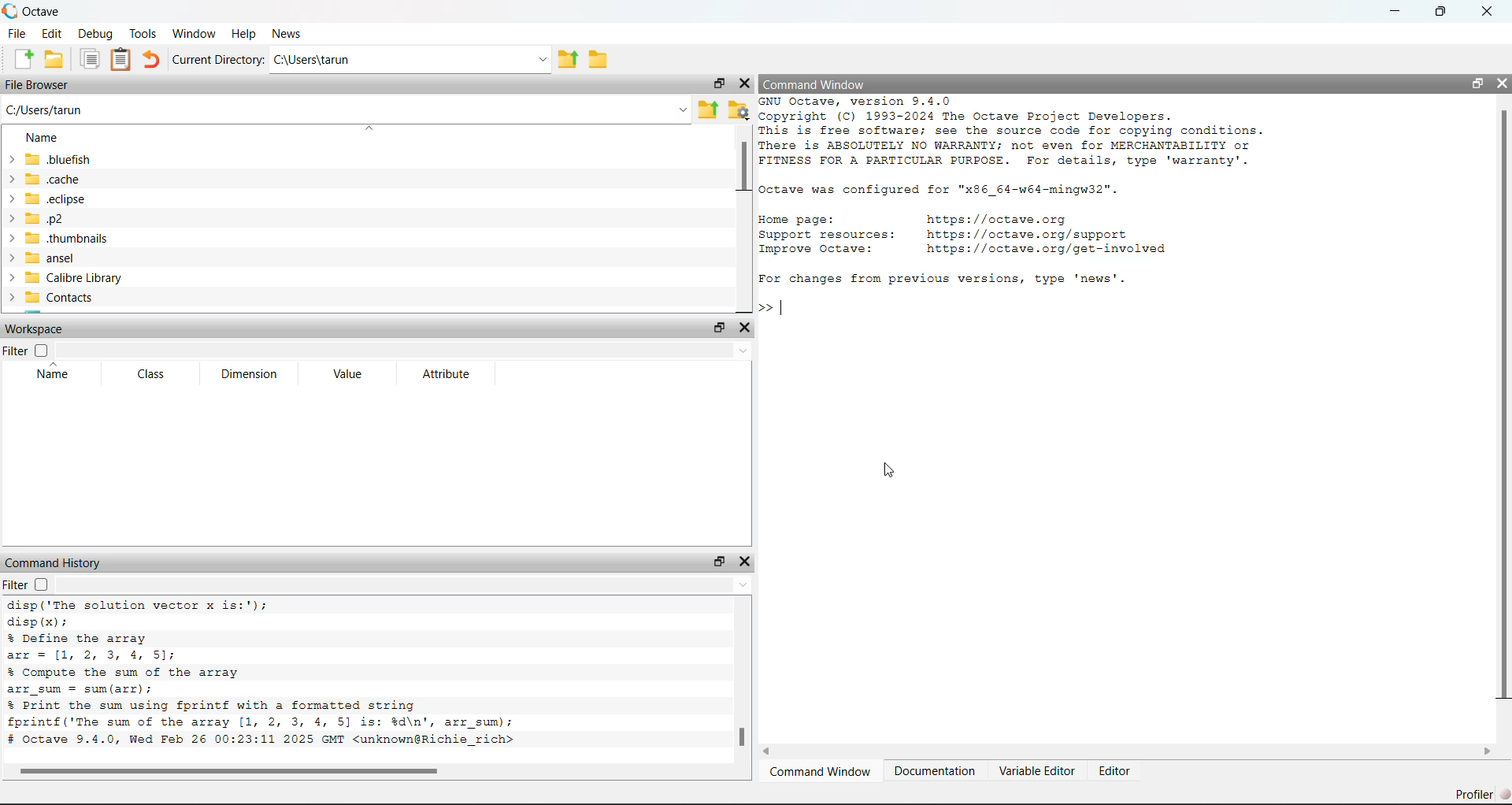  I want to click on Command Window, so click(821, 773).